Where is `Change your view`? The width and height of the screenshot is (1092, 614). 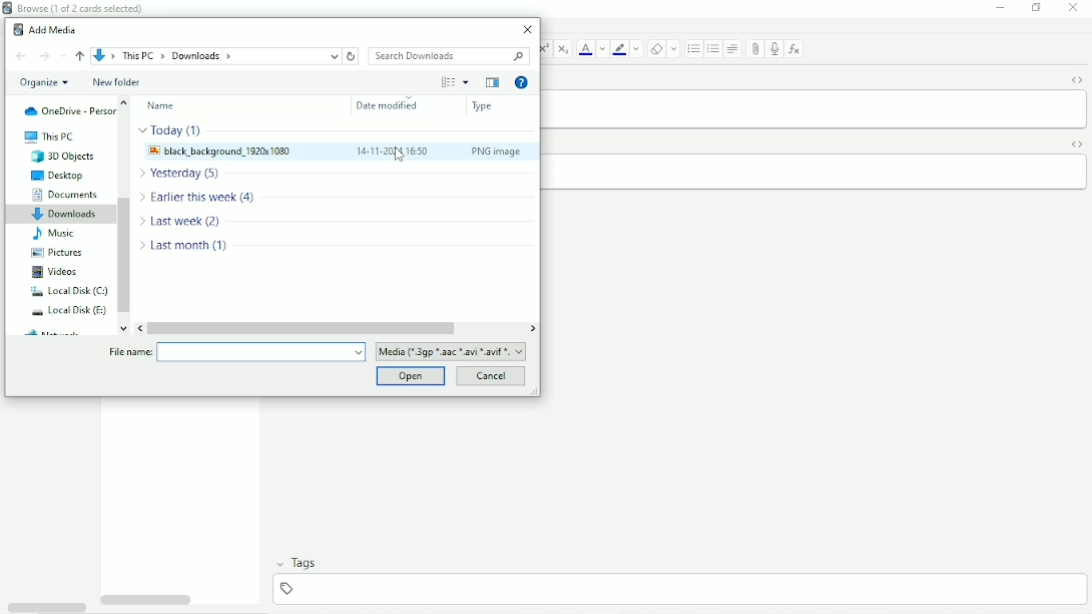
Change your view is located at coordinates (448, 82).